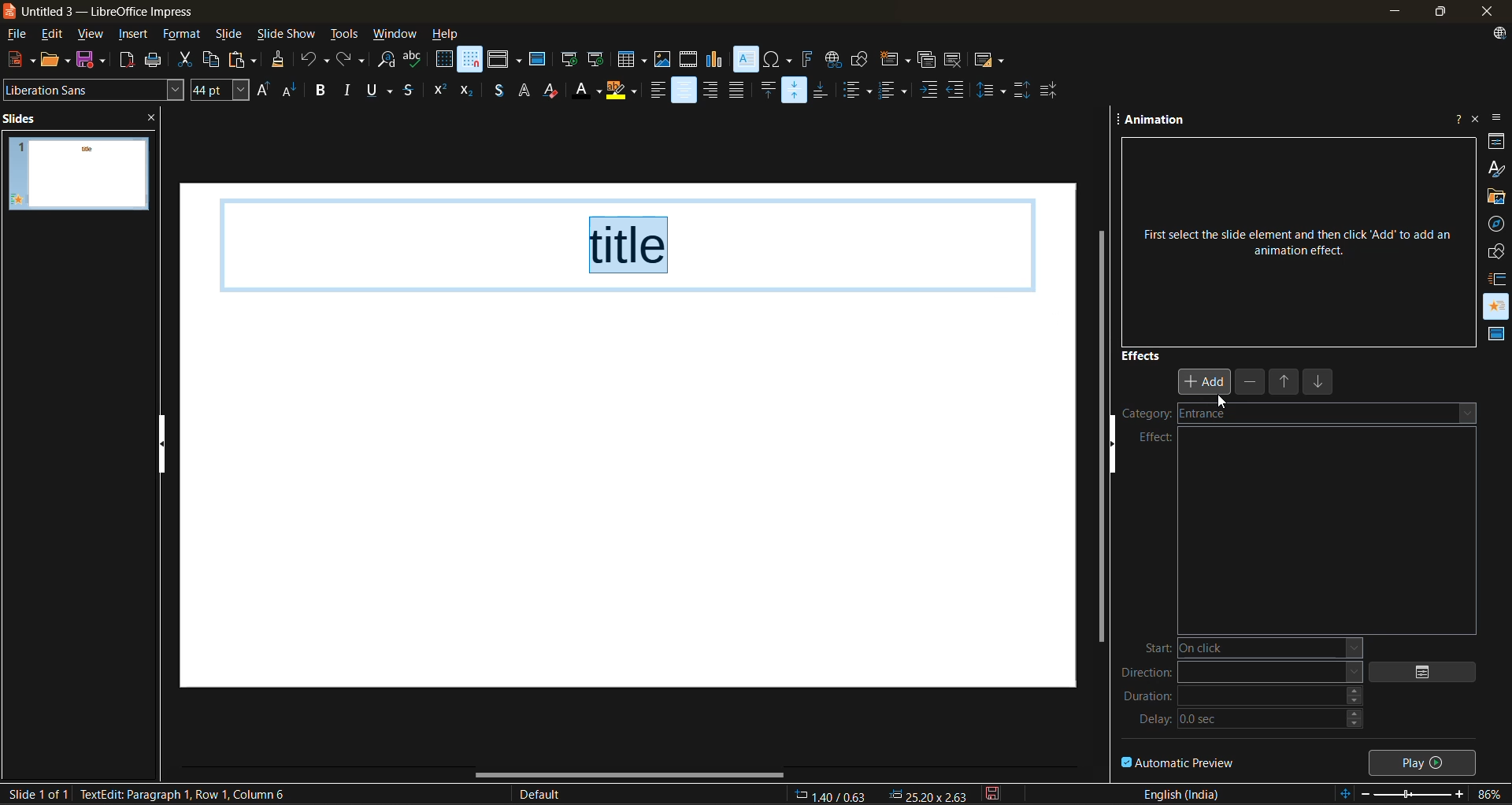 This screenshot has height=805, width=1512. I want to click on new, so click(18, 60).